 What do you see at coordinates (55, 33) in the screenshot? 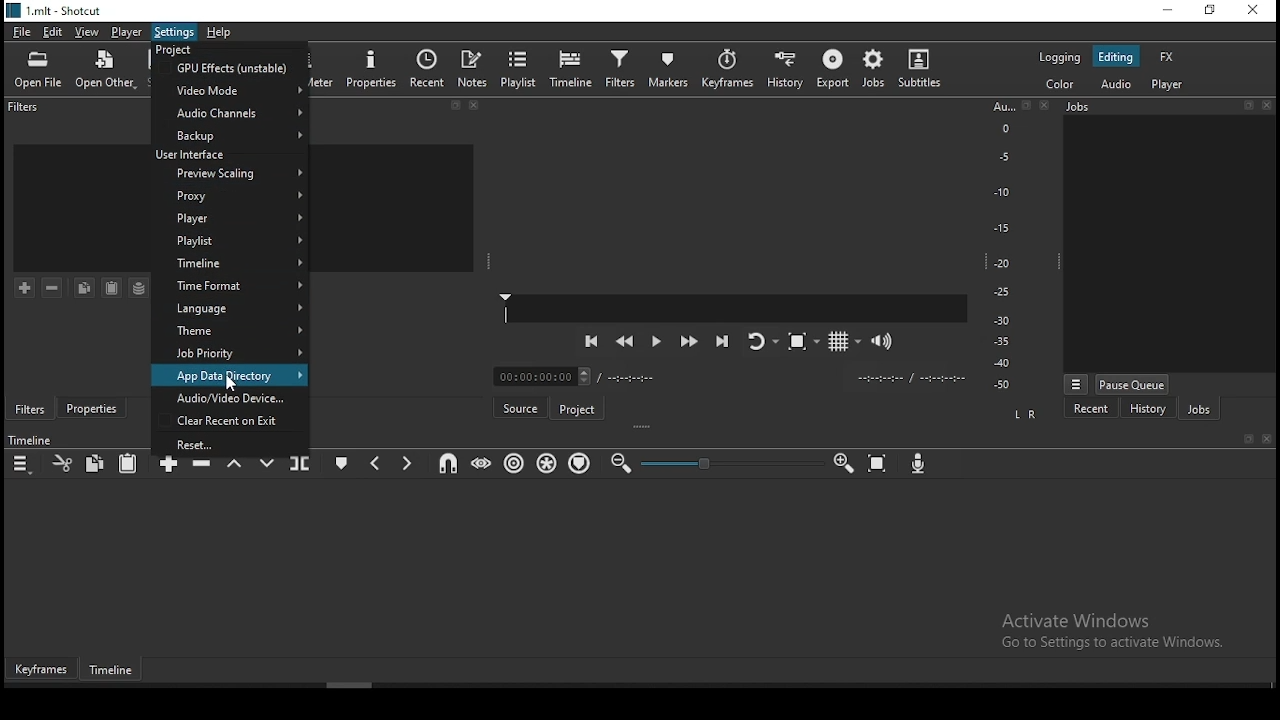
I see `edit` at bounding box center [55, 33].